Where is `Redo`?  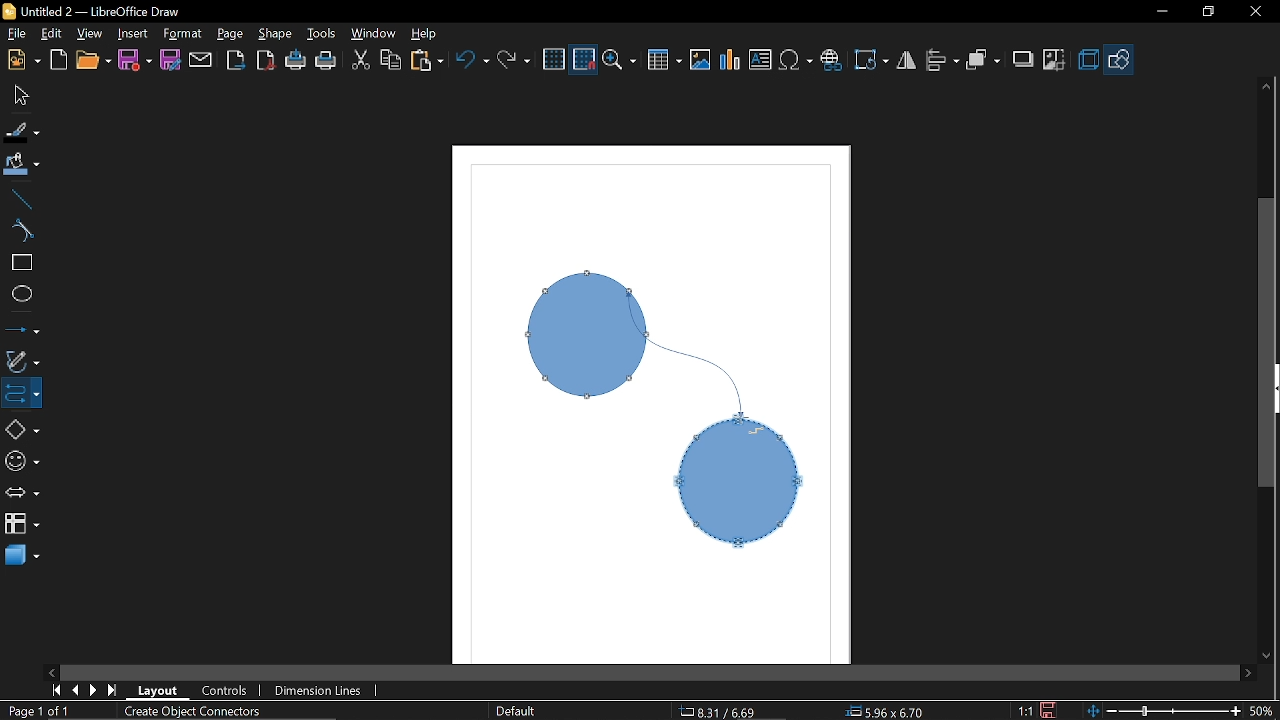 Redo is located at coordinates (514, 57).